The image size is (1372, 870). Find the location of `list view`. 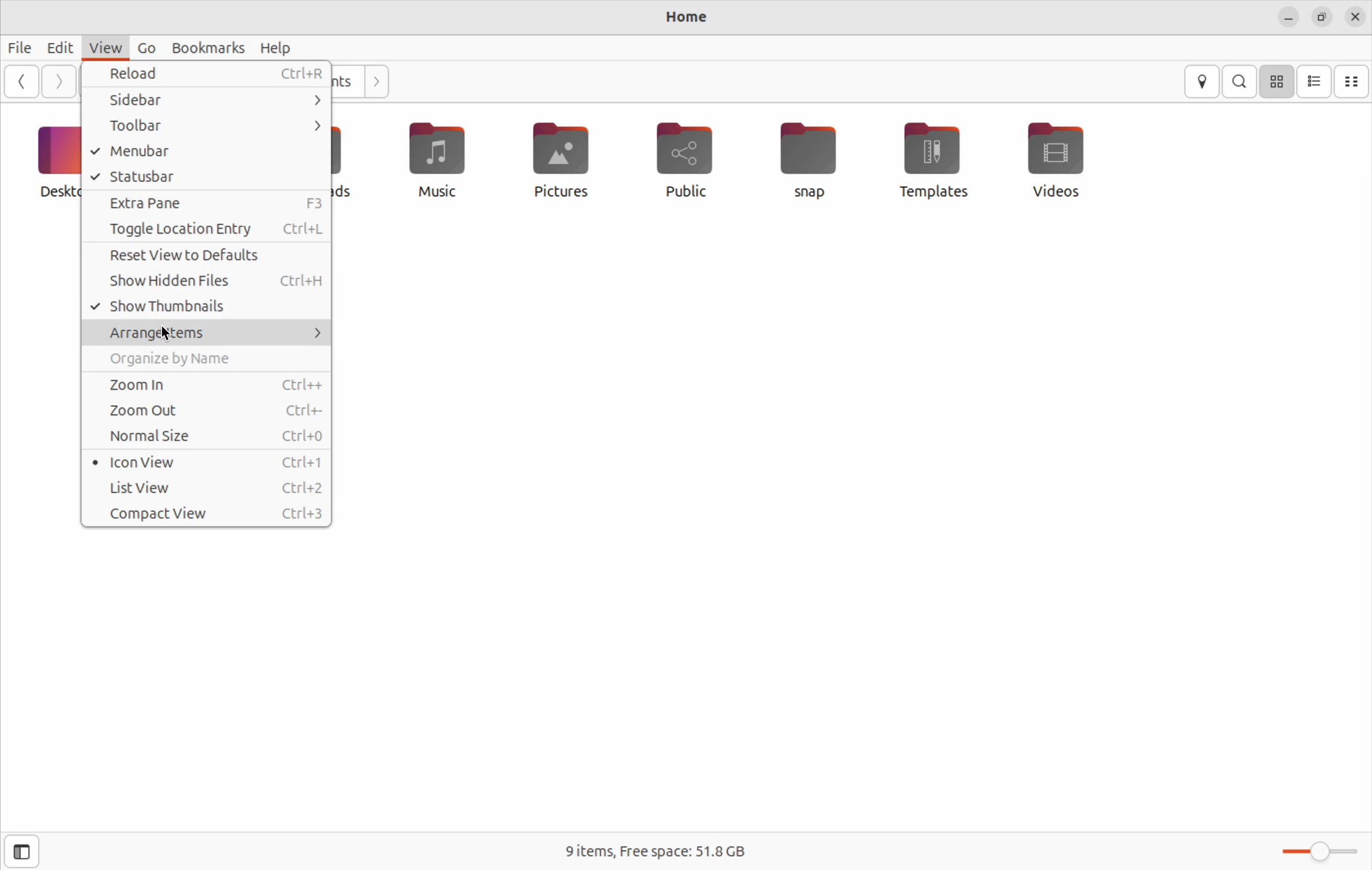

list view is located at coordinates (210, 488).